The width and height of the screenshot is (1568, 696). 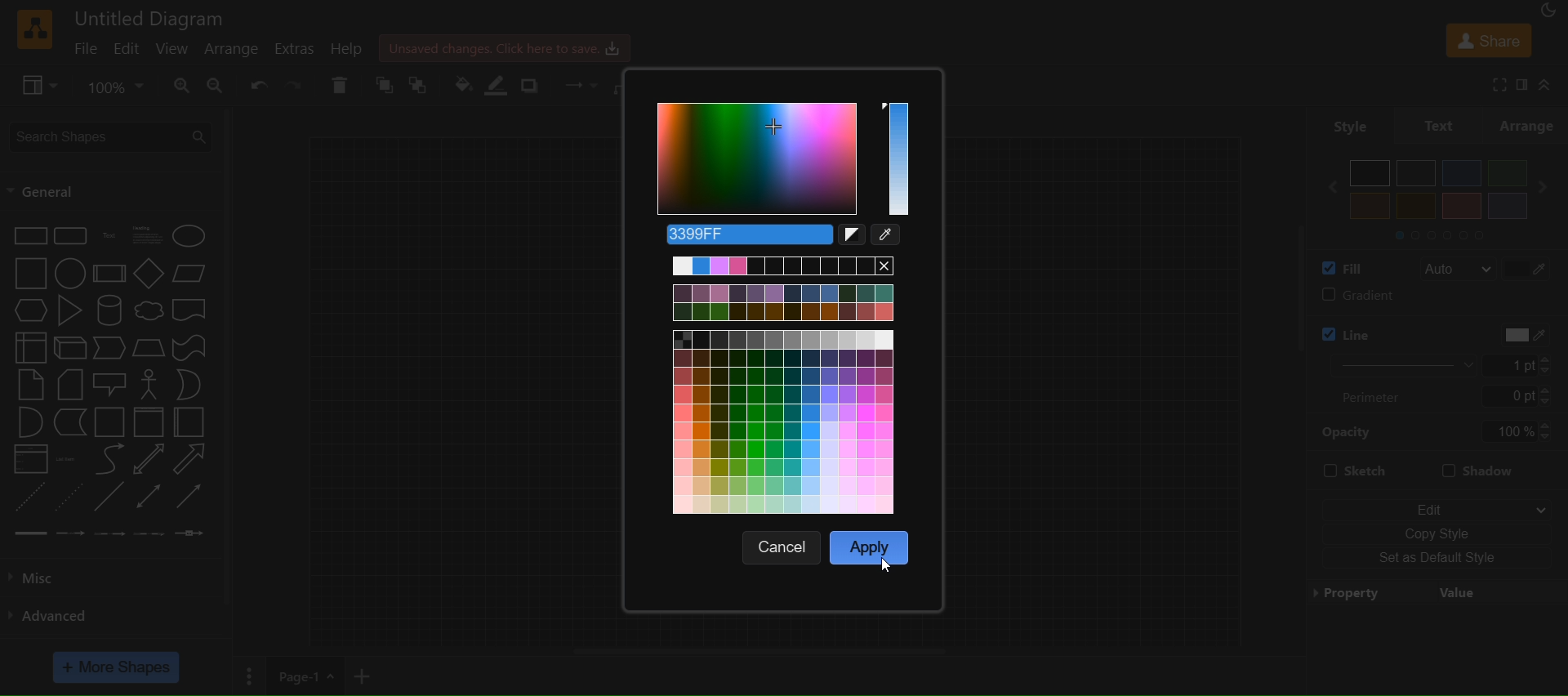 I want to click on to front , so click(x=417, y=84).